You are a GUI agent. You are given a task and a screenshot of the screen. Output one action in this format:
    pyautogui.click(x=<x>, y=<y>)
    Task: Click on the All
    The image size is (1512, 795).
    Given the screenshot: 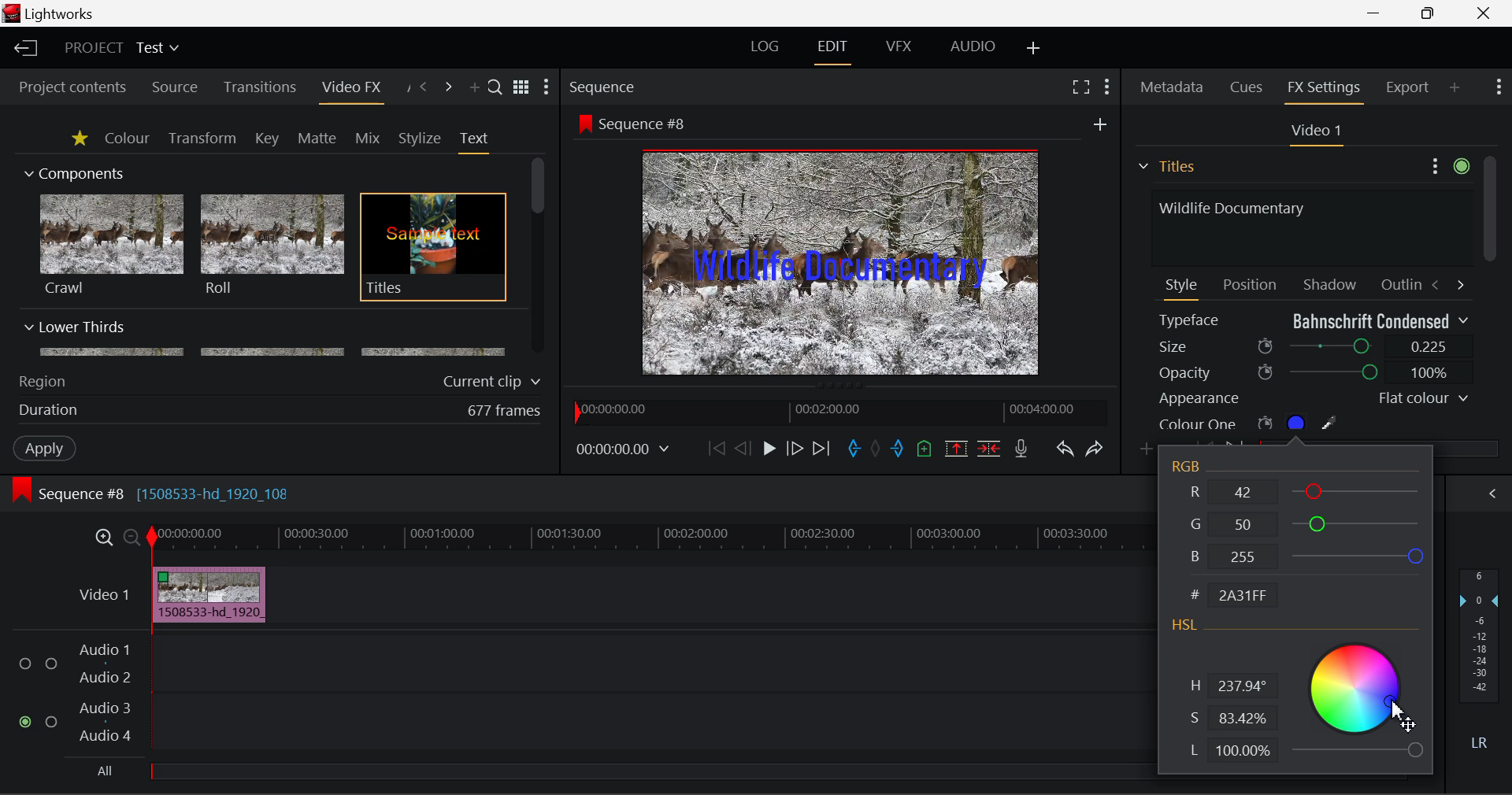 What is the action you would take?
    pyautogui.click(x=106, y=771)
    